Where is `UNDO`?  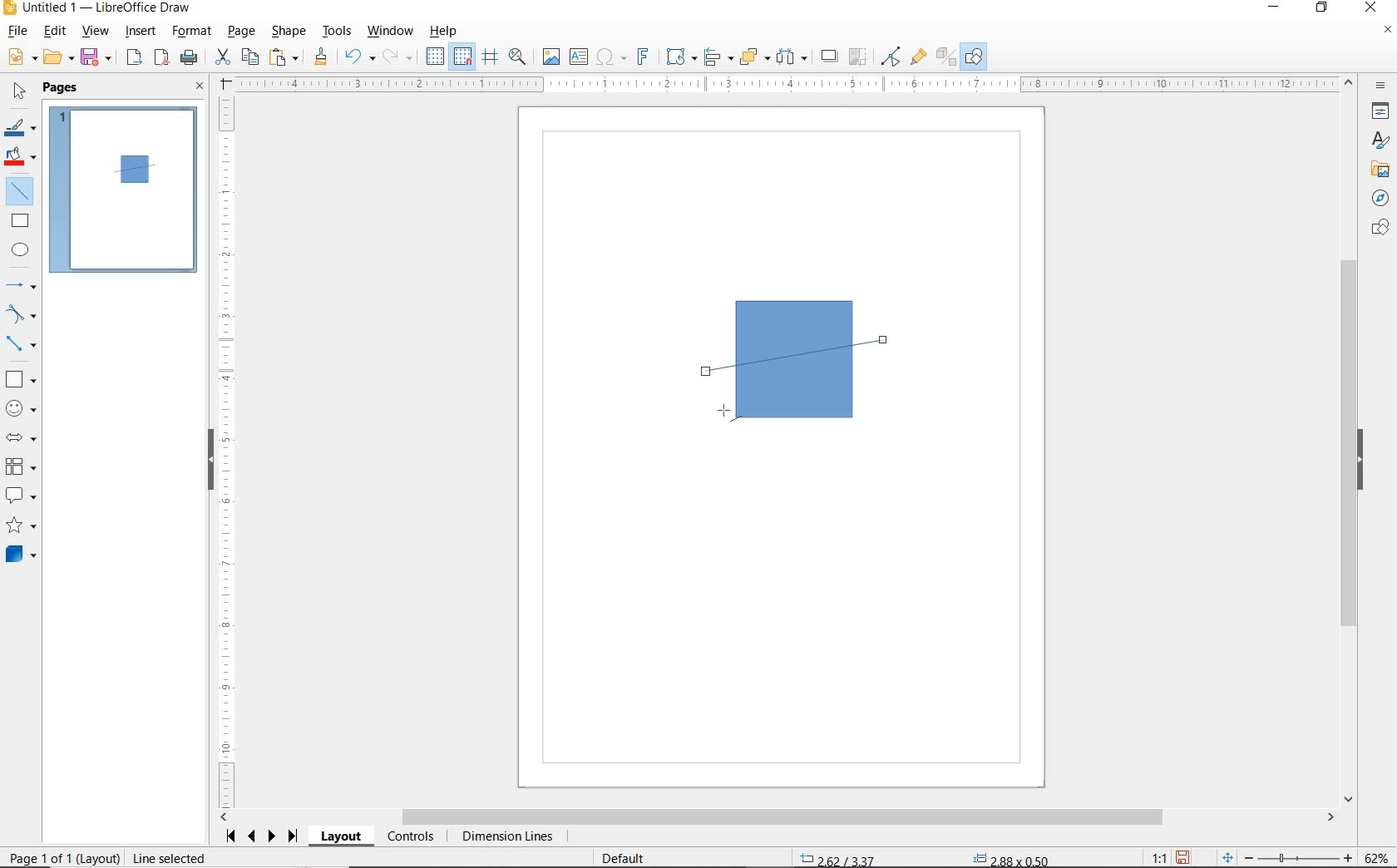 UNDO is located at coordinates (360, 58).